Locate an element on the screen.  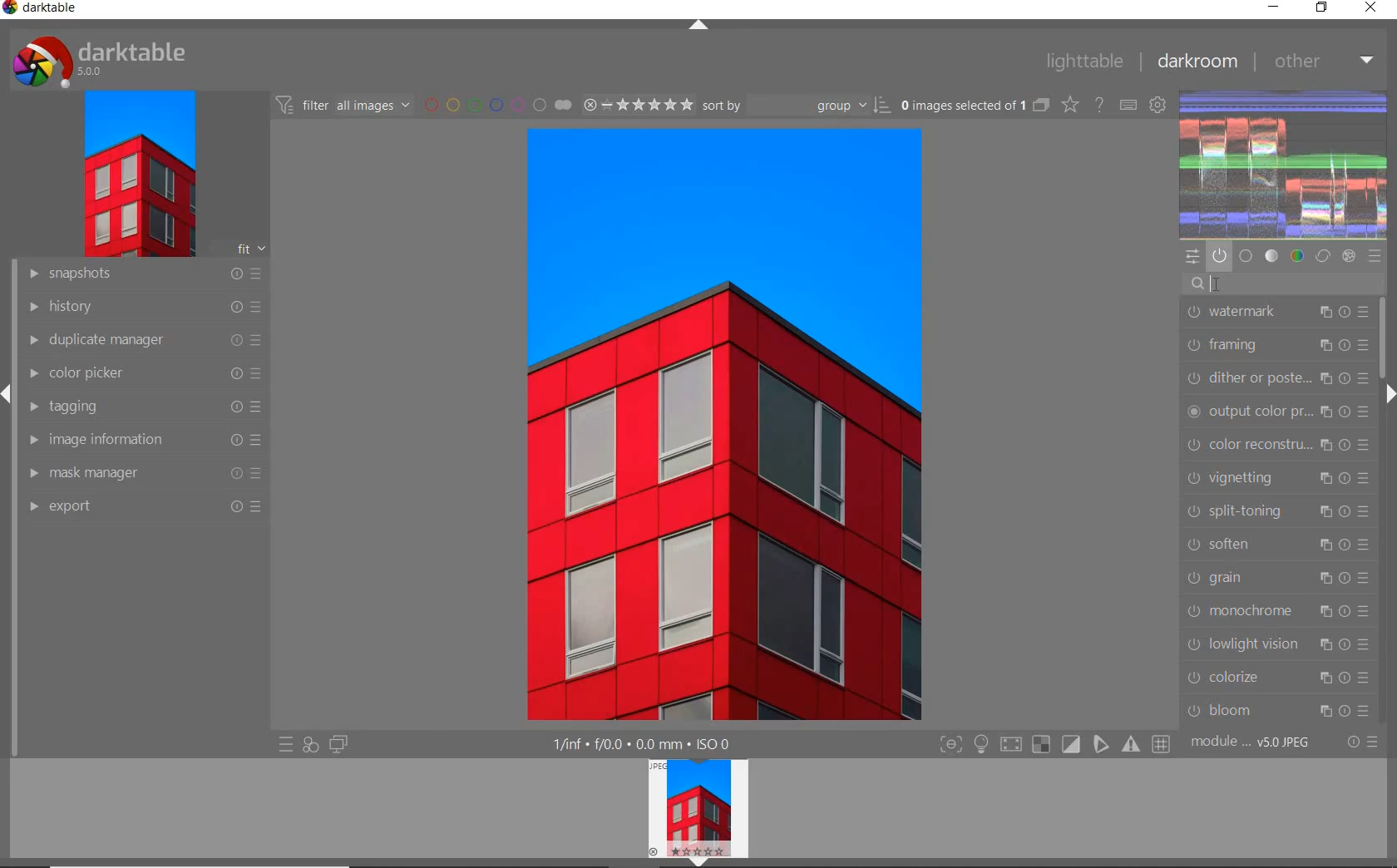
search modules is located at coordinates (1286, 283).